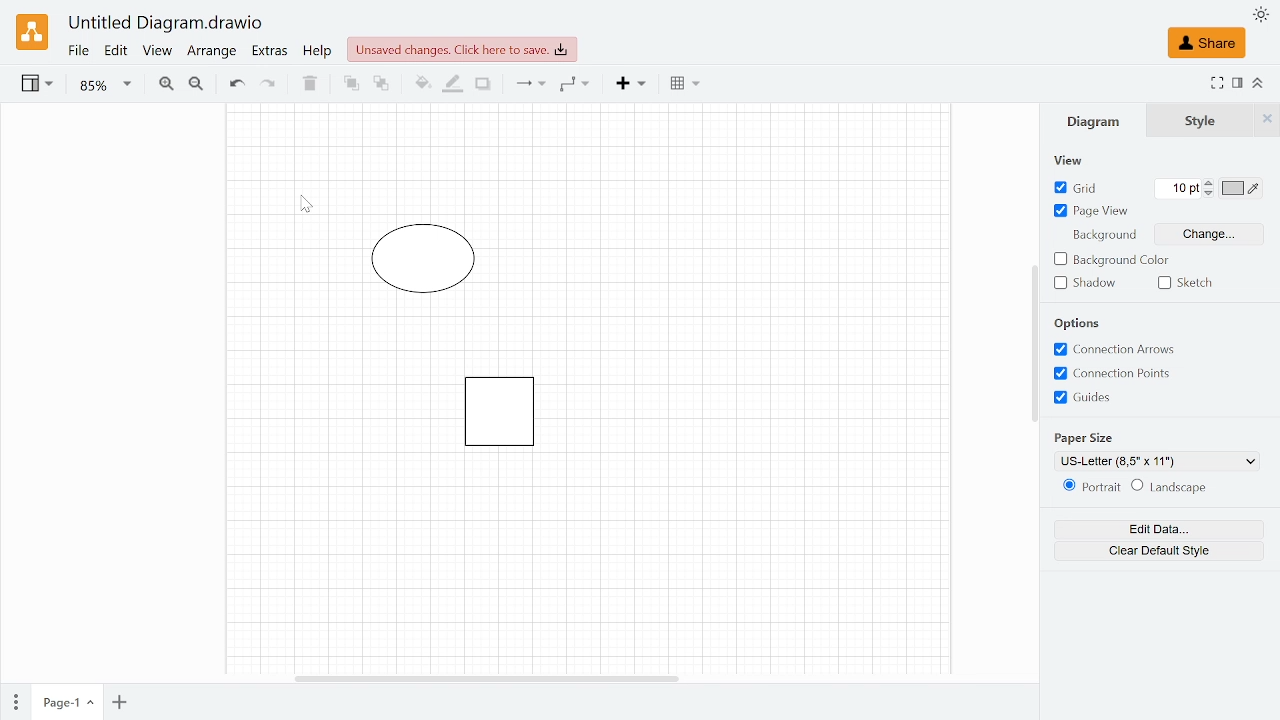 Image resolution: width=1280 pixels, height=720 pixels. I want to click on To back, so click(381, 84).